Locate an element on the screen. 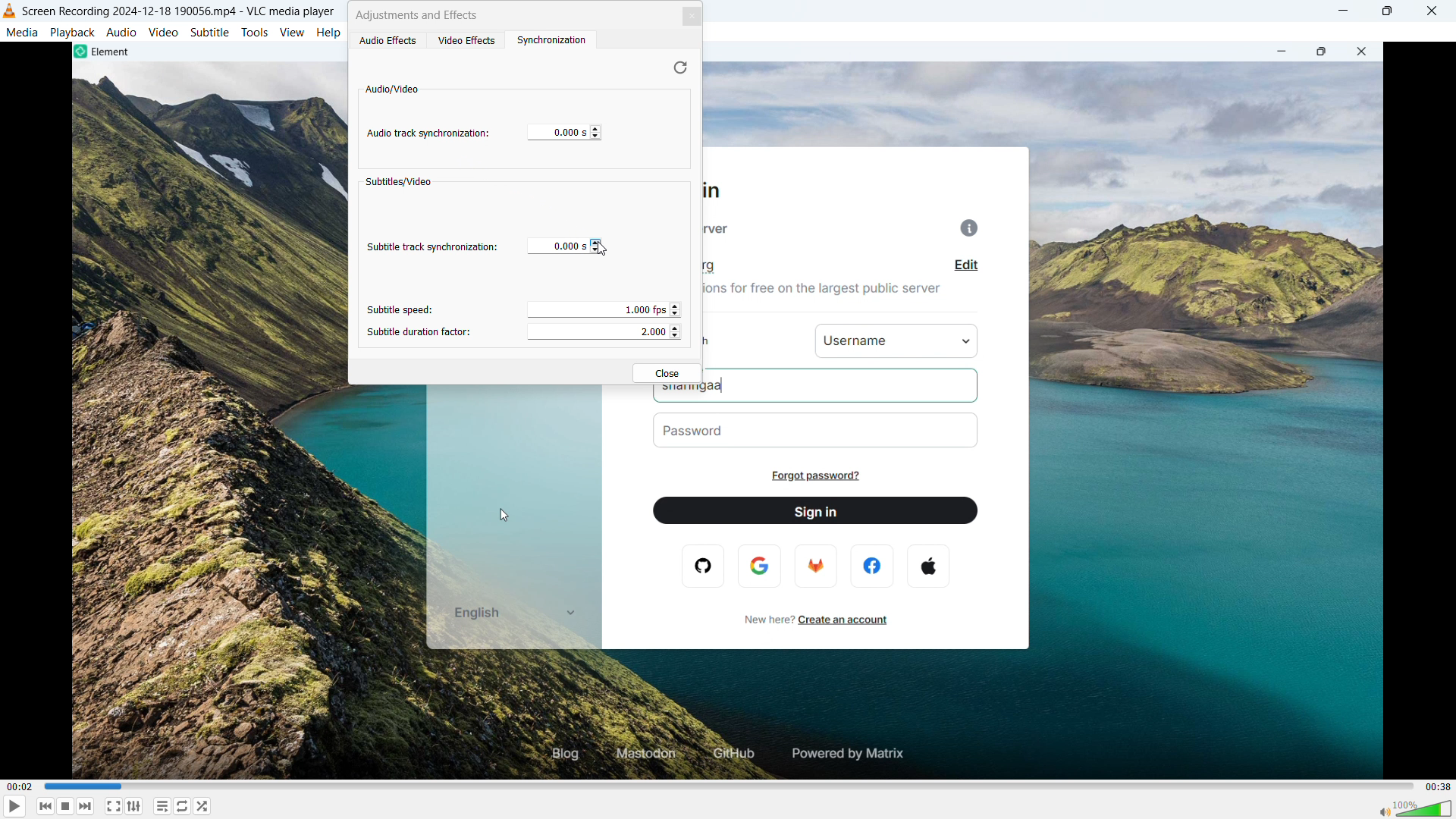  element is located at coordinates (118, 52).